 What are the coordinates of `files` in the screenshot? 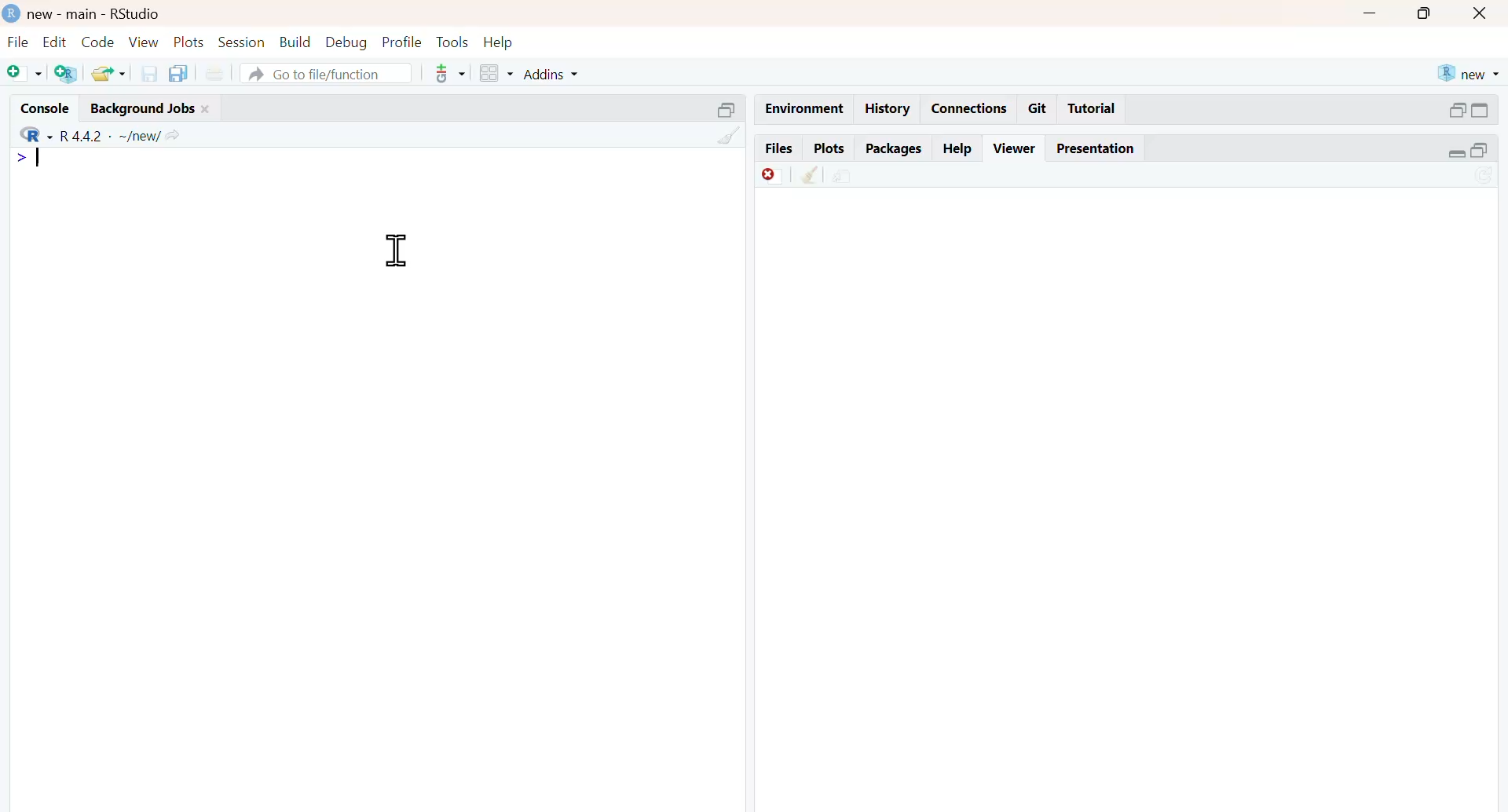 It's located at (778, 149).